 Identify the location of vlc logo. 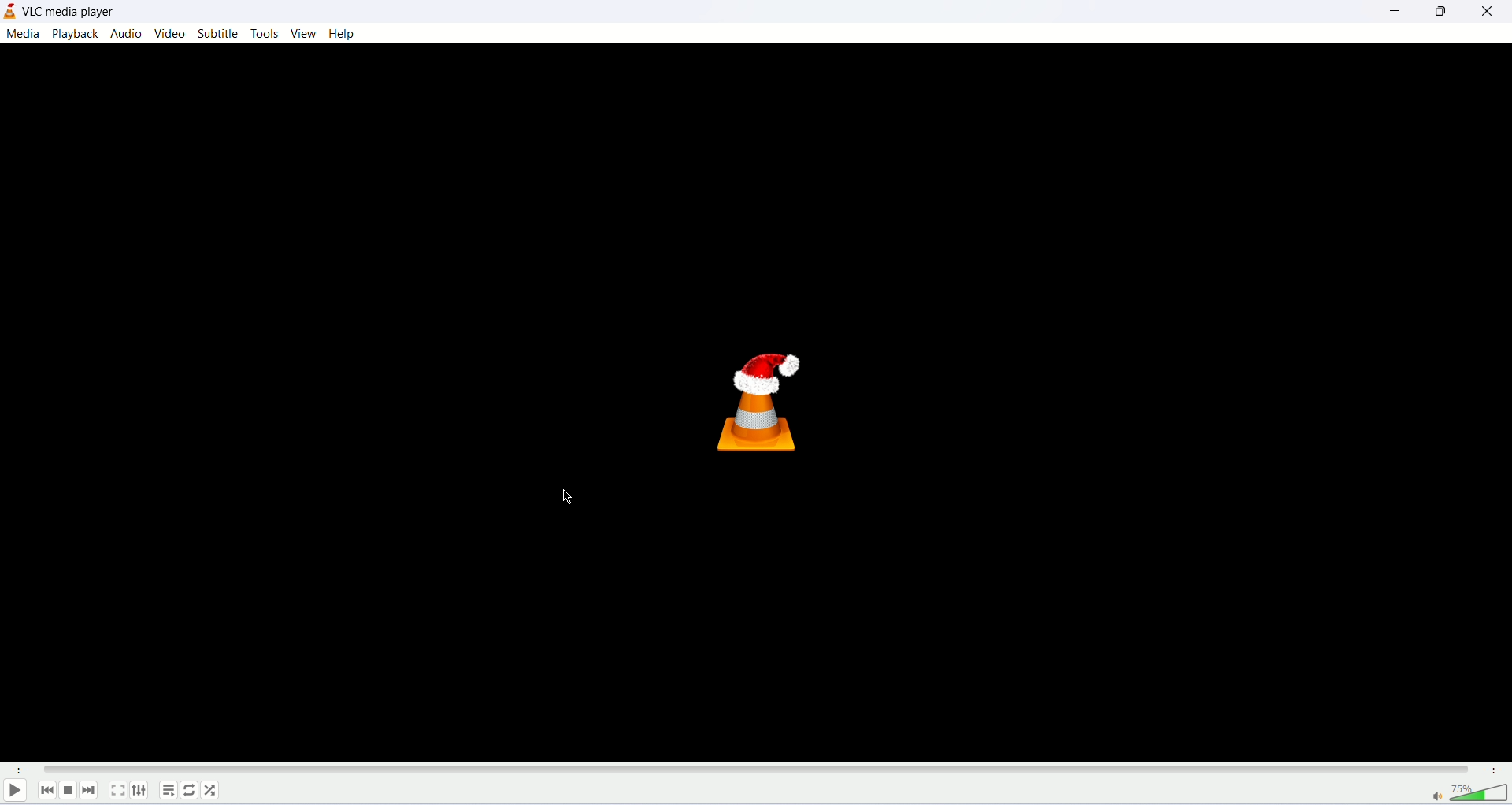
(757, 406).